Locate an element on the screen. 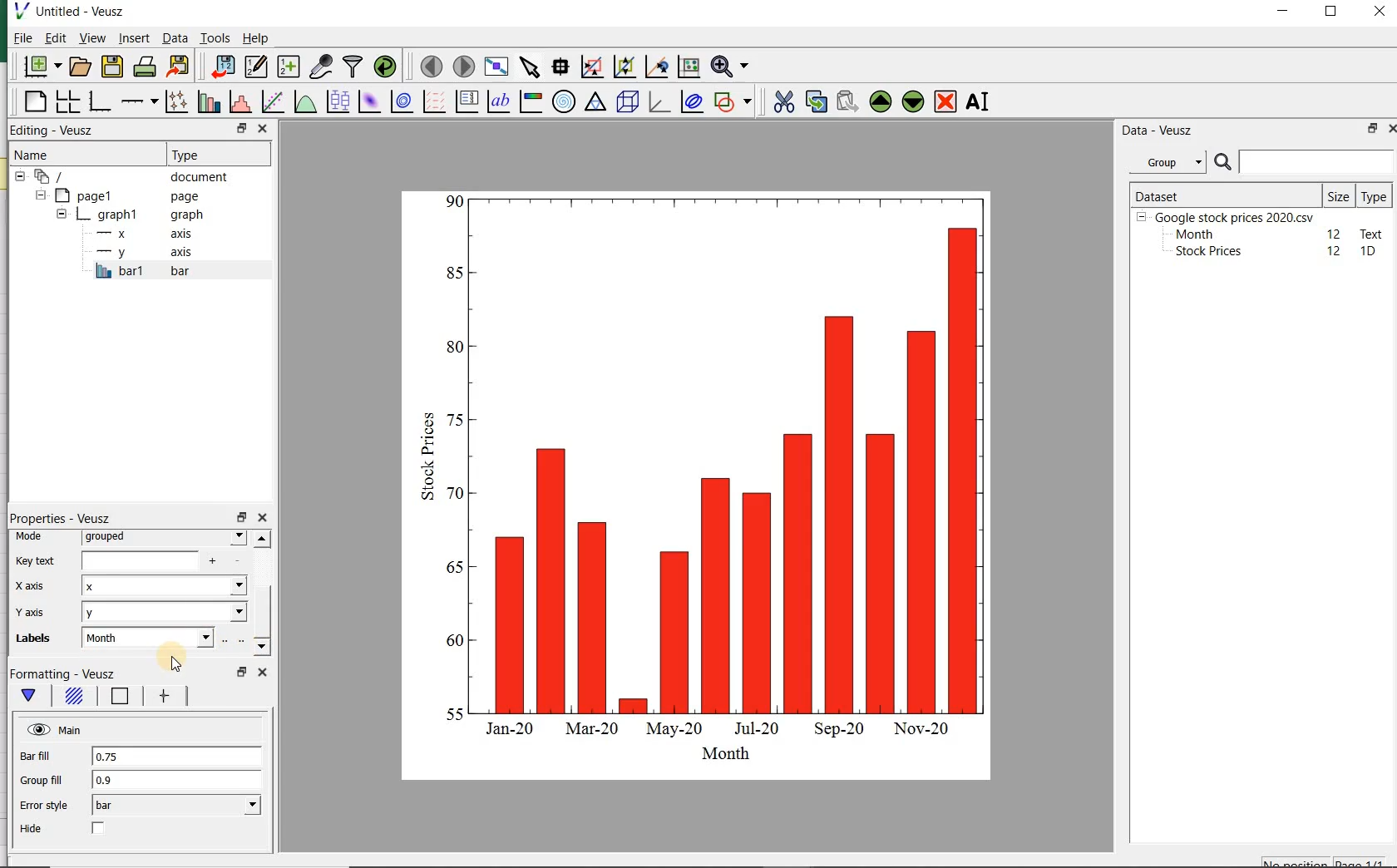 The image size is (1397, 868). import data into Veusz is located at coordinates (220, 67).